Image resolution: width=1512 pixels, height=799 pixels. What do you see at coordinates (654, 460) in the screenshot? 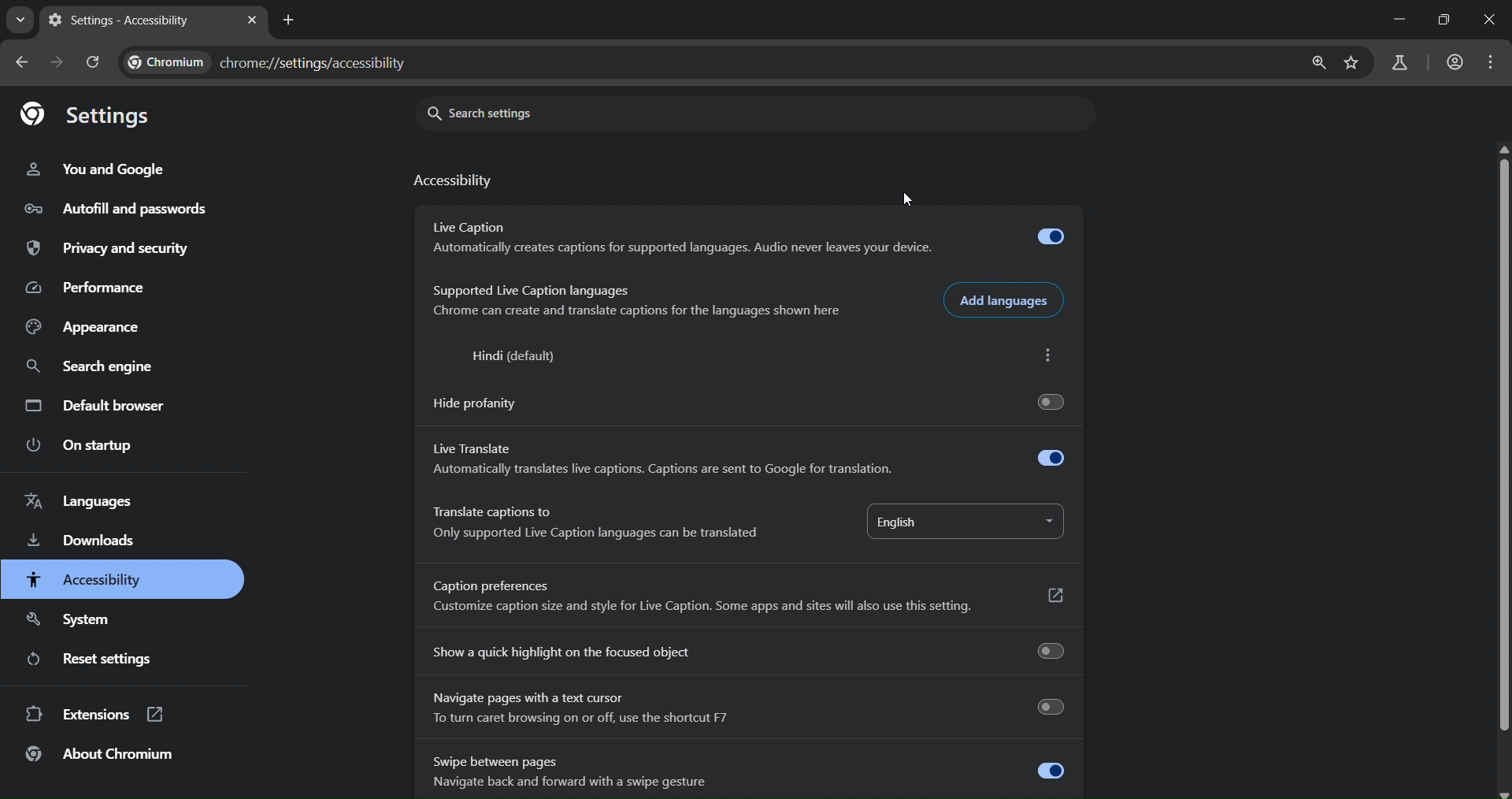
I see `Live Translate
Automatically translates live captions. Captions are sent to Google for translation.` at bounding box center [654, 460].